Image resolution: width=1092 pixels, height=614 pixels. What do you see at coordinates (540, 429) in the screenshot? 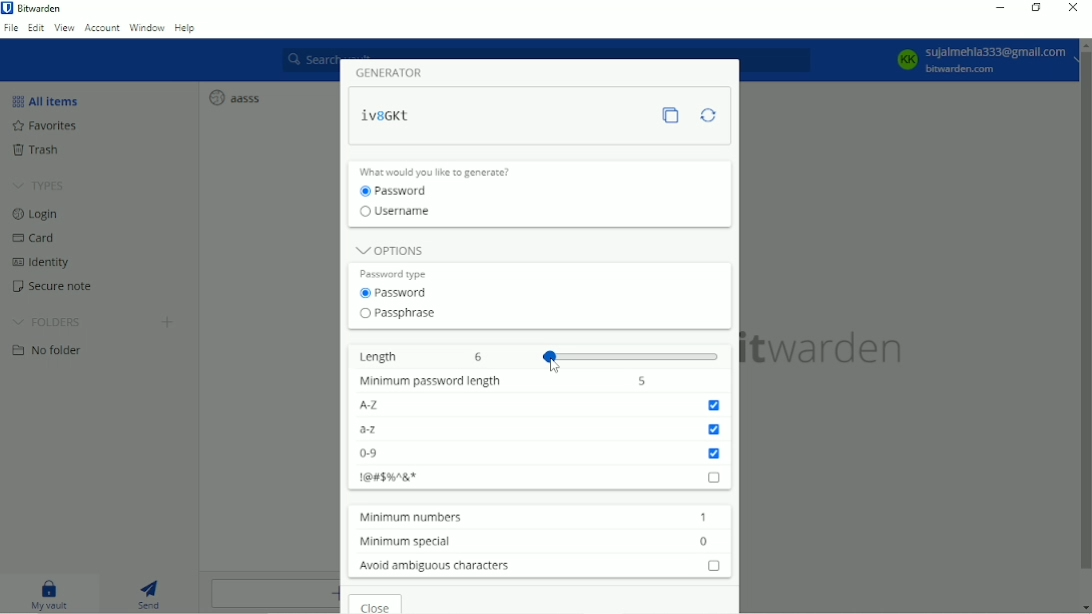
I see `a-z` at bounding box center [540, 429].